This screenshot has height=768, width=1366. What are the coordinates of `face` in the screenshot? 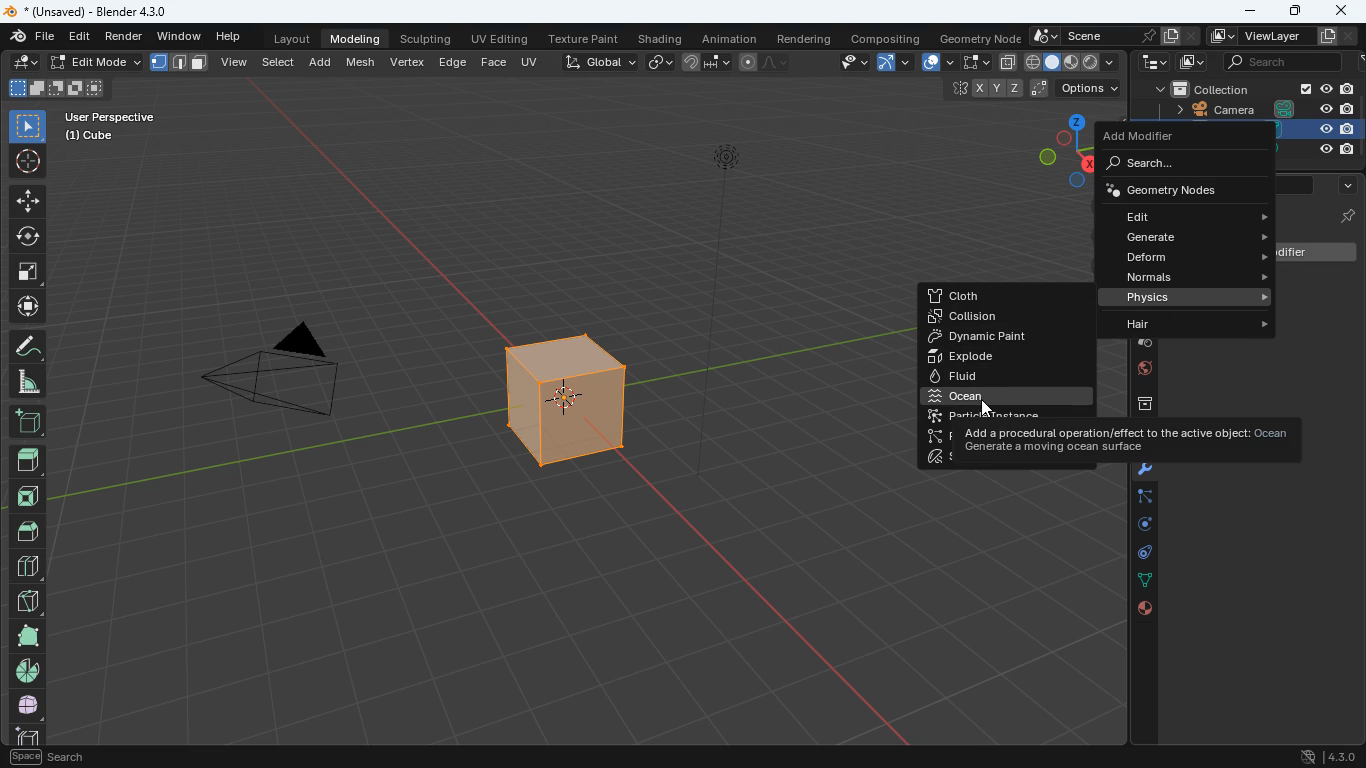 It's located at (493, 61).